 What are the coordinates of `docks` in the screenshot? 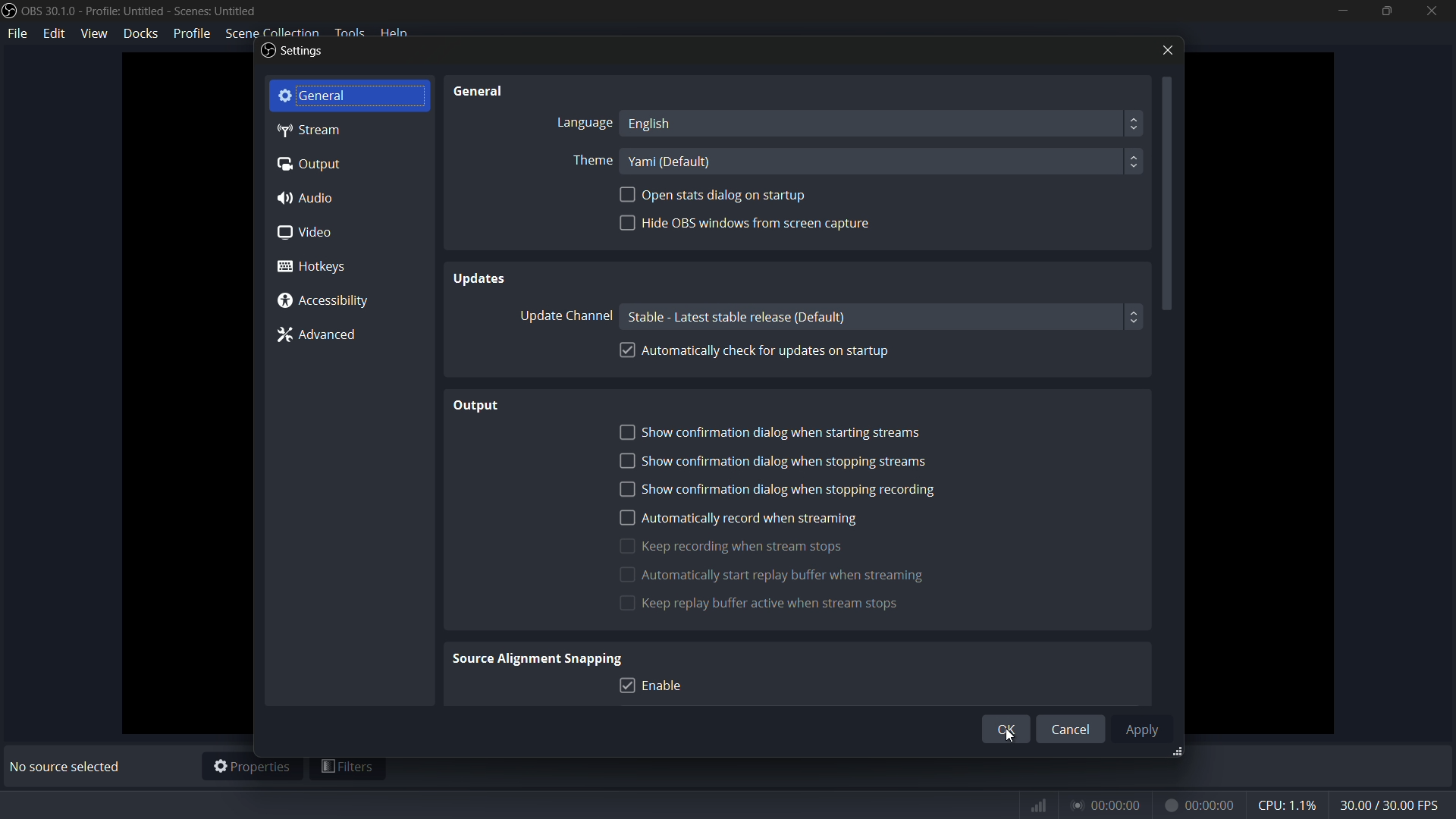 It's located at (141, 34).